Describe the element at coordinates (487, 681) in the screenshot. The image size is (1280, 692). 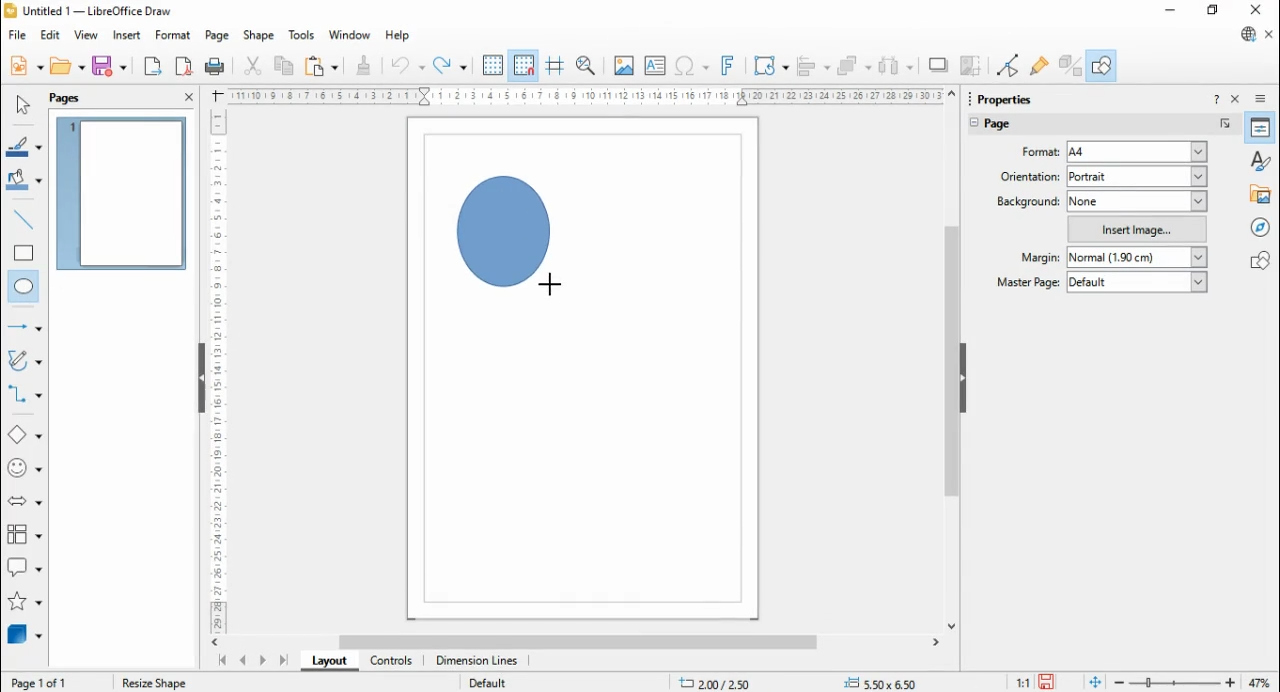
I see `Default` at that location.